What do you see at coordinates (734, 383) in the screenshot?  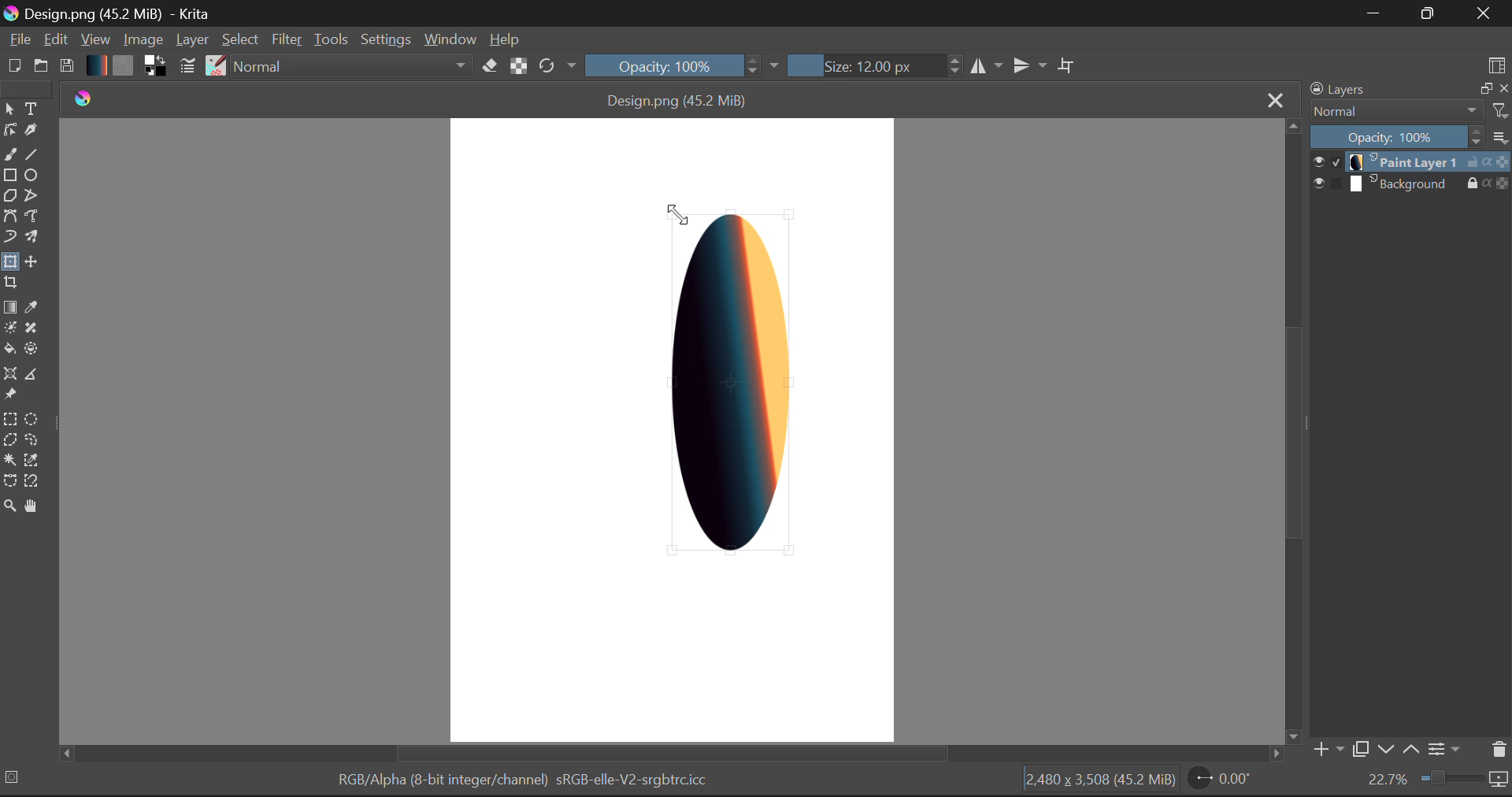 I see `Layer Skewed by Transform Action` at bounding box center [734, 383].